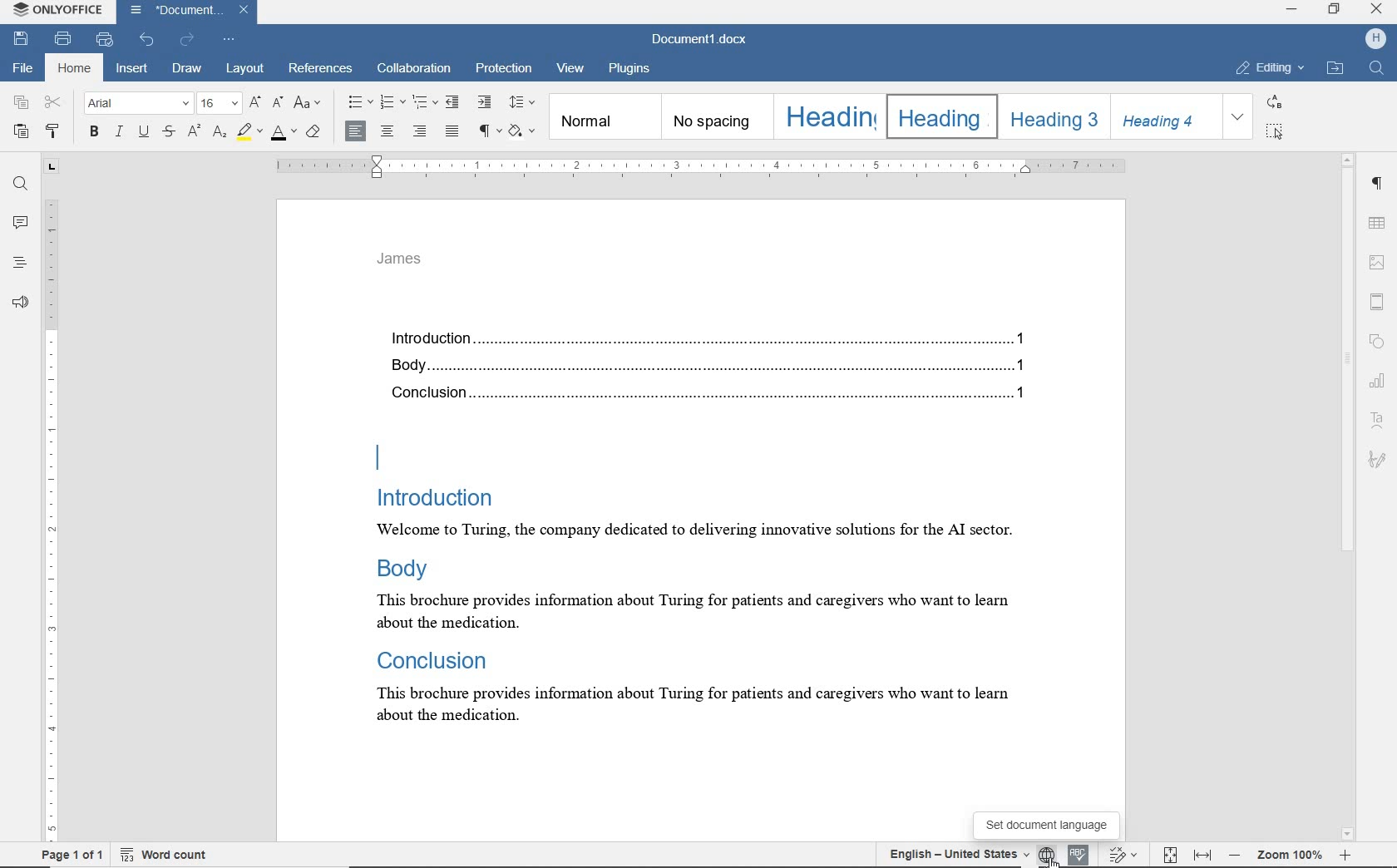 This screenshot has height=868, width=1397. What do you see at coordinates (356, 131) in the screenshot?
I see `align left` at bounding box center [356, 131].